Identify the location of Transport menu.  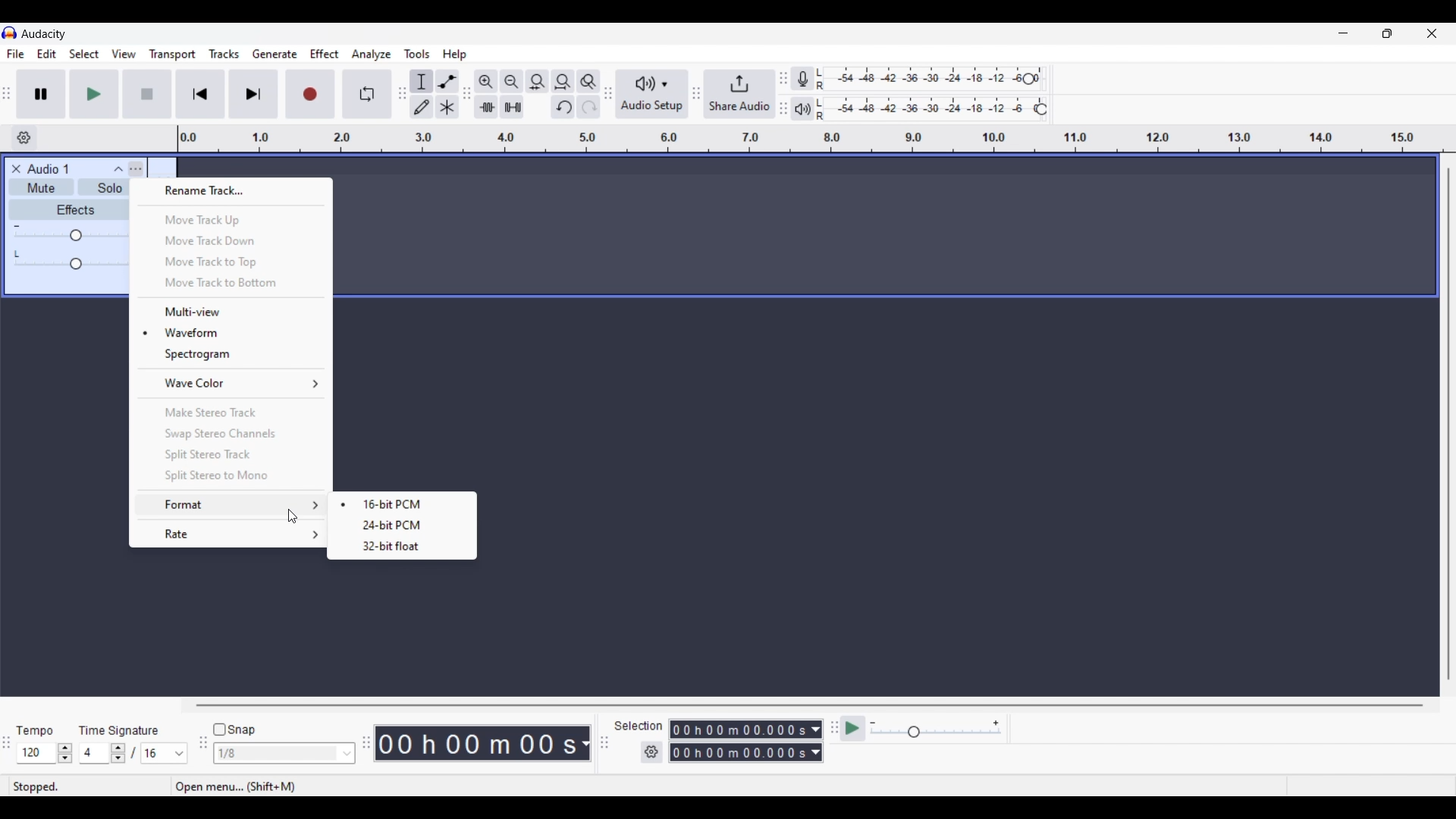
(173, 54).